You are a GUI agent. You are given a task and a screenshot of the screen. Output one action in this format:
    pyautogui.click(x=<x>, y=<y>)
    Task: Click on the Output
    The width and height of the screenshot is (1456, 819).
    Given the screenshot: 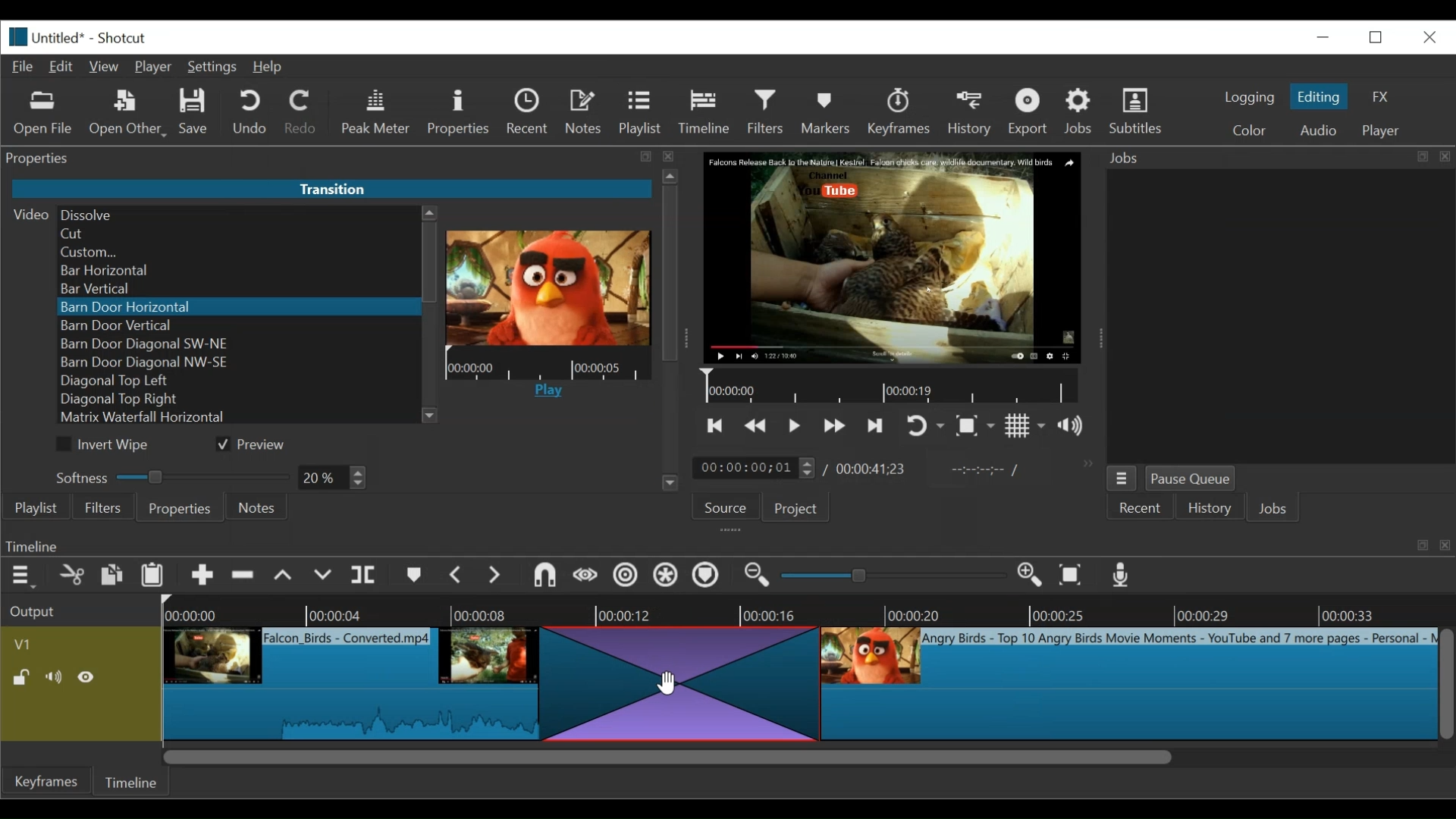 What is the action you would take?
    pyautogui.click(x=78, y=609)
    